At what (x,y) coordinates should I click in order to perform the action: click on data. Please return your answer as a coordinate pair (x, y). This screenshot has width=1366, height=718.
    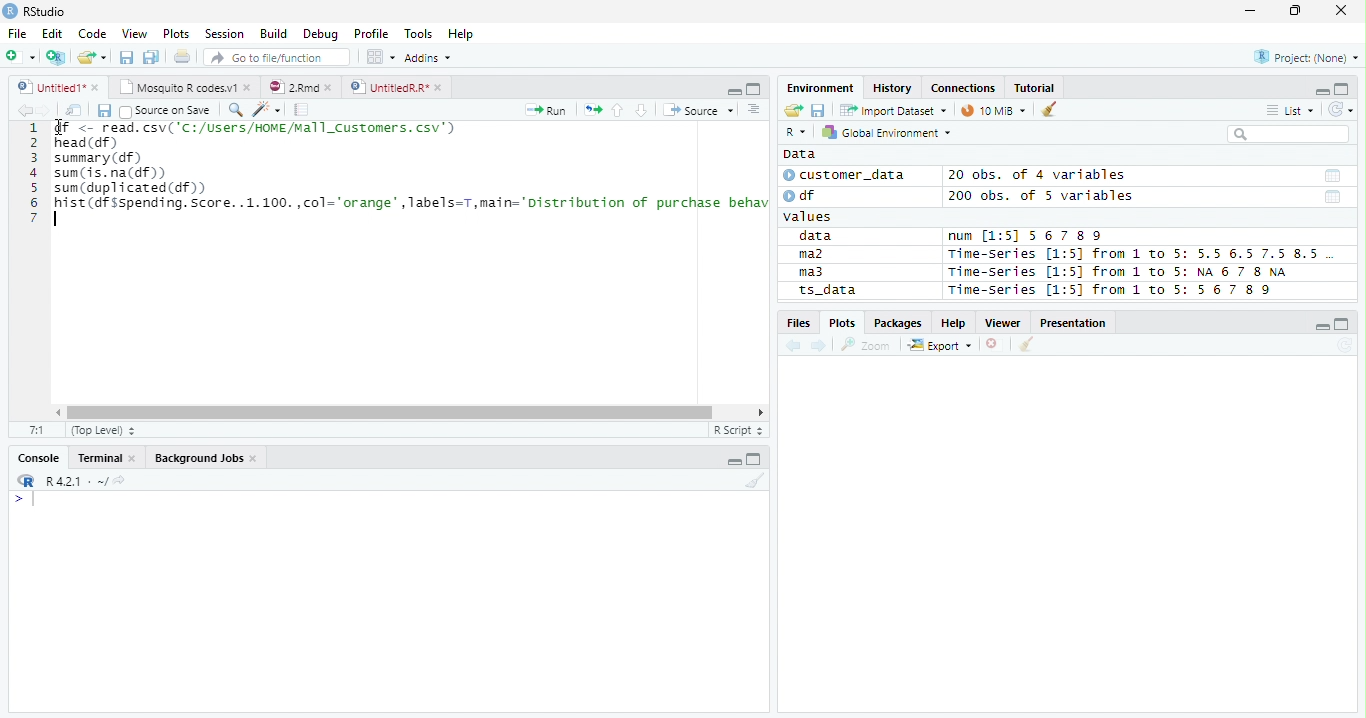
    Looking at the image, I should click on (819, 237).